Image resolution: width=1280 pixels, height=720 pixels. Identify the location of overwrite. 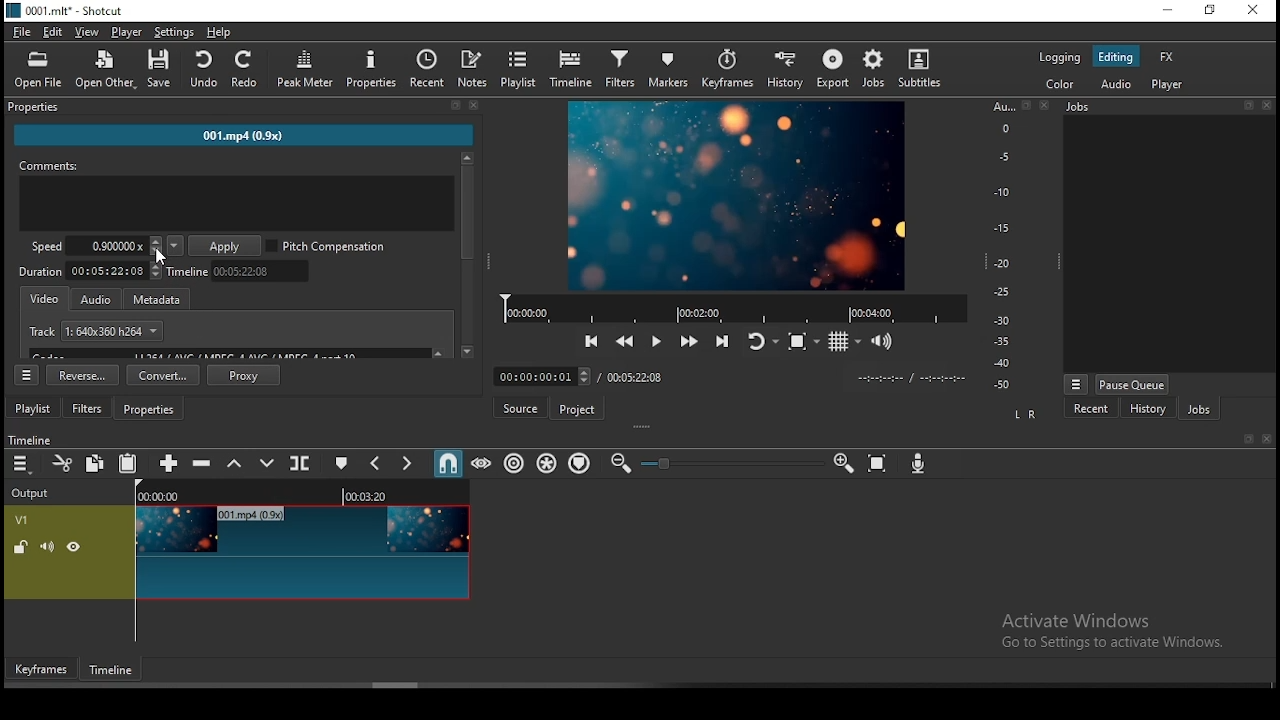
(267, 464).